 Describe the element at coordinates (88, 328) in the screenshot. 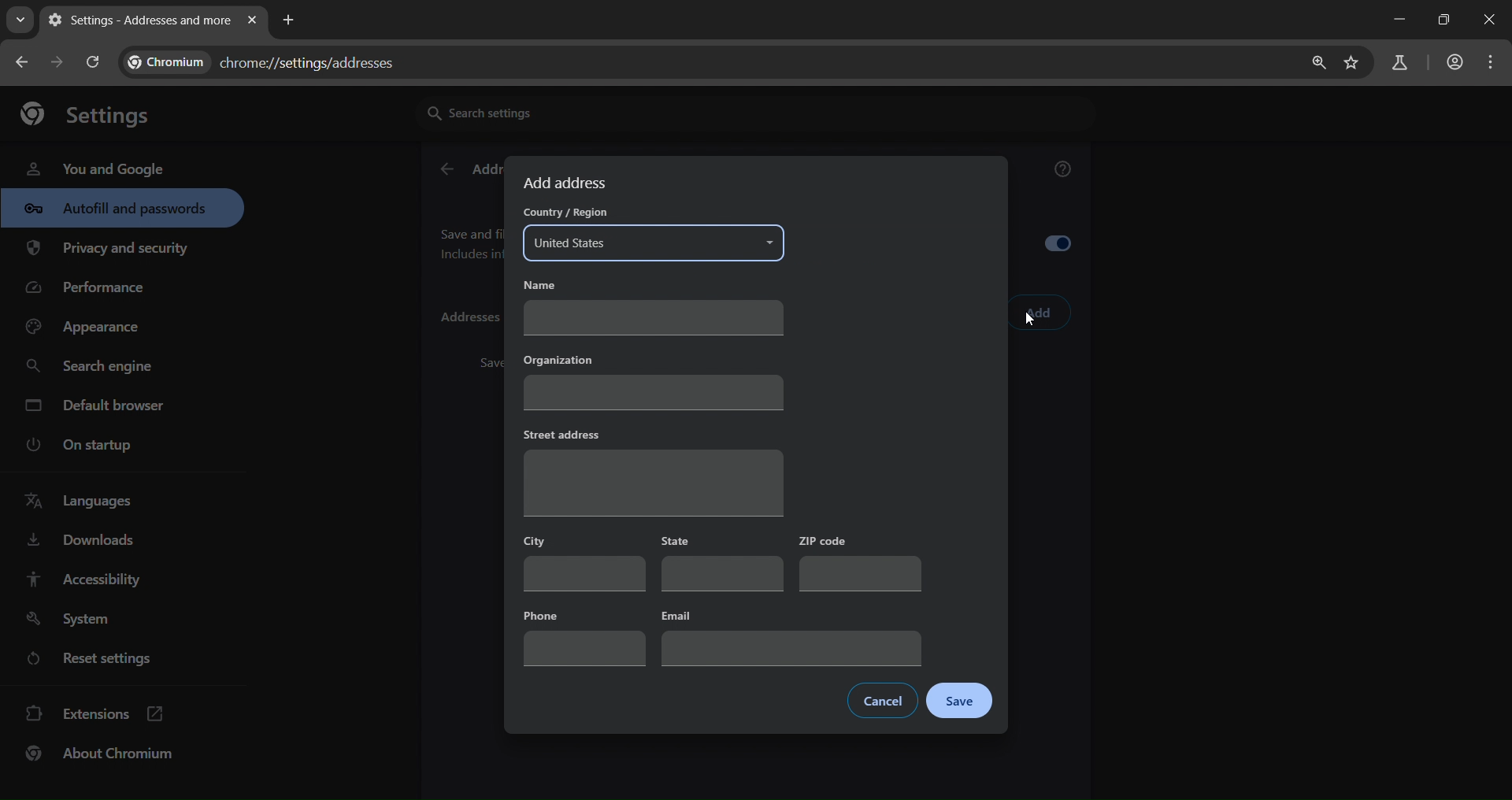

I see `appearance` at that location.